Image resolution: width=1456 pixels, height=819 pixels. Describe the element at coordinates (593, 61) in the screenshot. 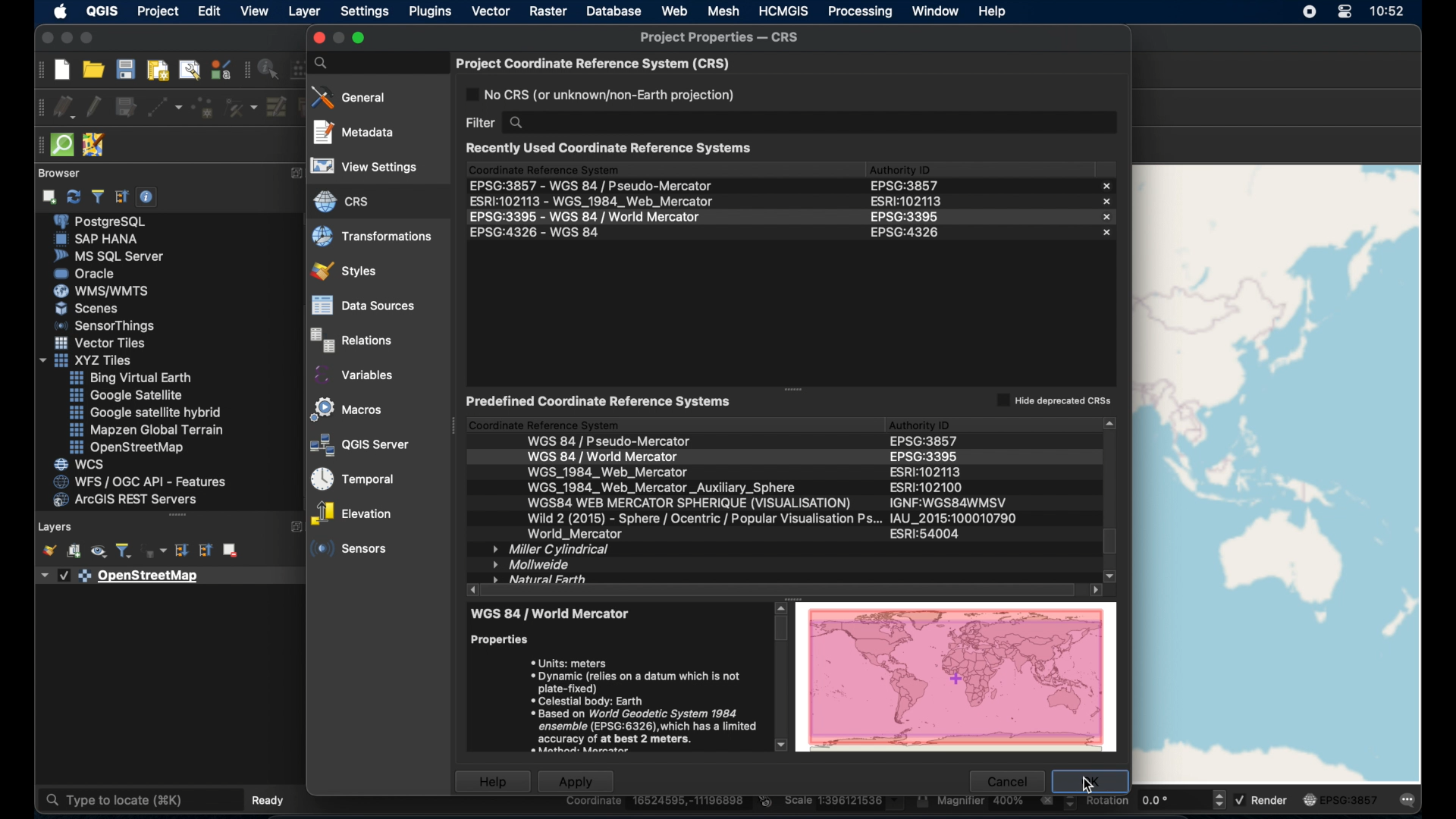

I see `project coordinate reference system` at that location.